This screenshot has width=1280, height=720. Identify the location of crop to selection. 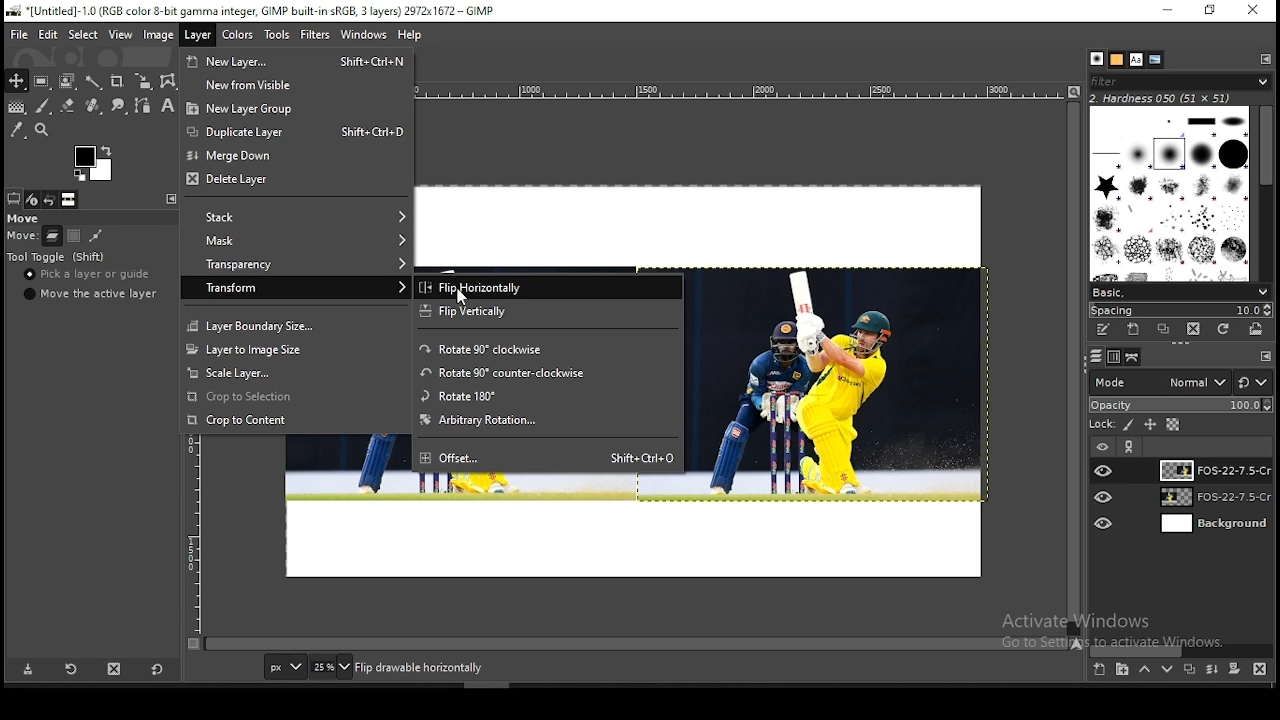
(295, 397).